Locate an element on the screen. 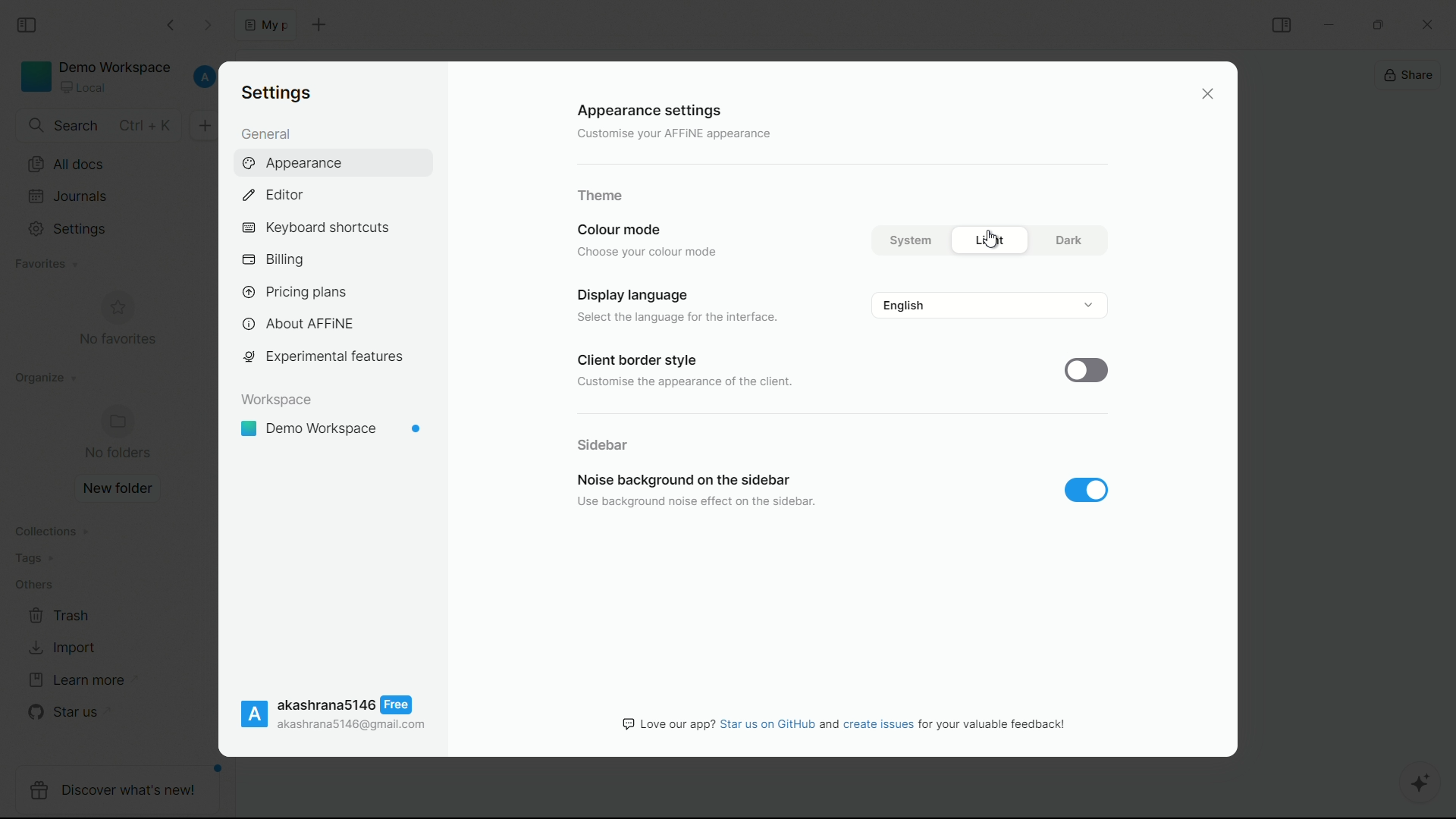 The width and height of the screenshot is (1456, 819). maximize or restore is located at coordinates (1382, 24).